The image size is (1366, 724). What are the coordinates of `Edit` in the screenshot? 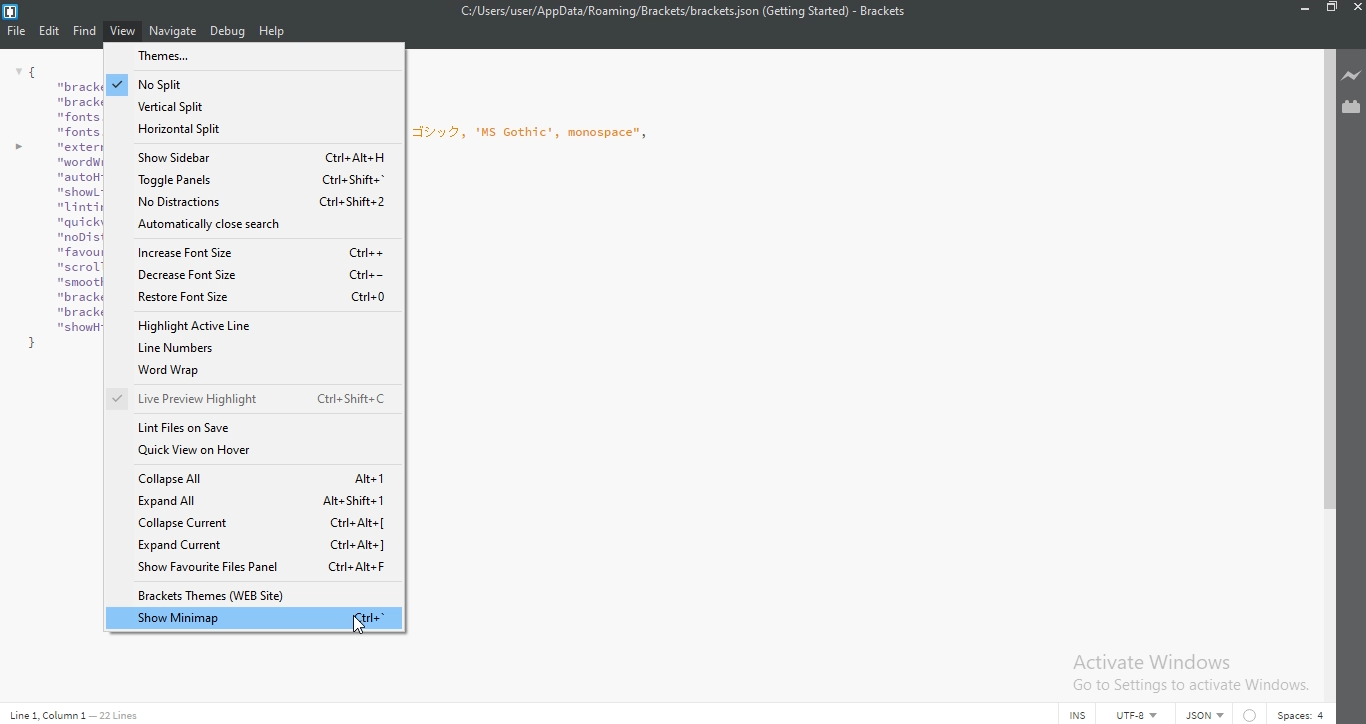 It's located at (52, 31).